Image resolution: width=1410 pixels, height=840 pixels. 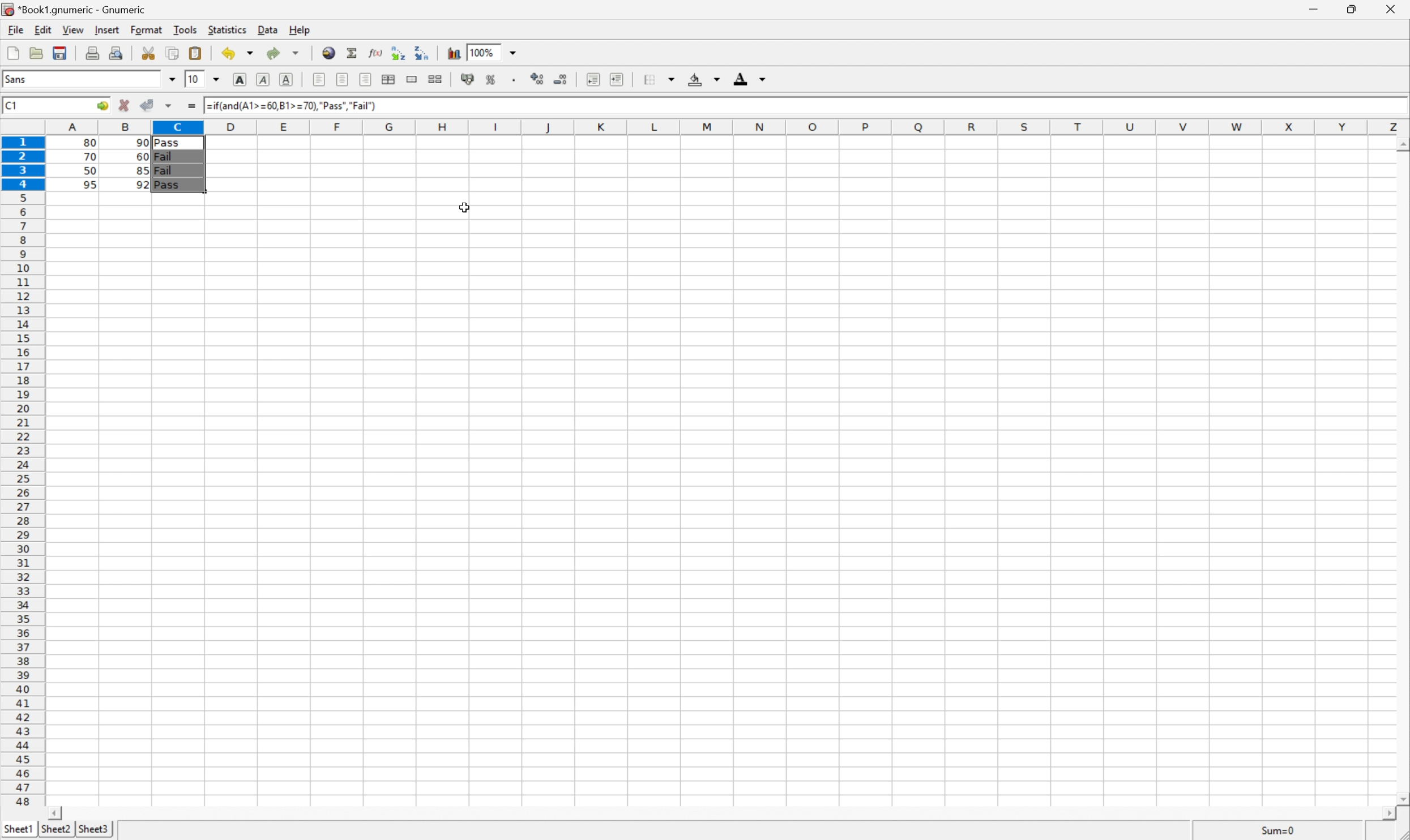 What do you see at coordinates (103, 106) in the screenshot?
I see `Go to...` at bounding box center [103, 106].